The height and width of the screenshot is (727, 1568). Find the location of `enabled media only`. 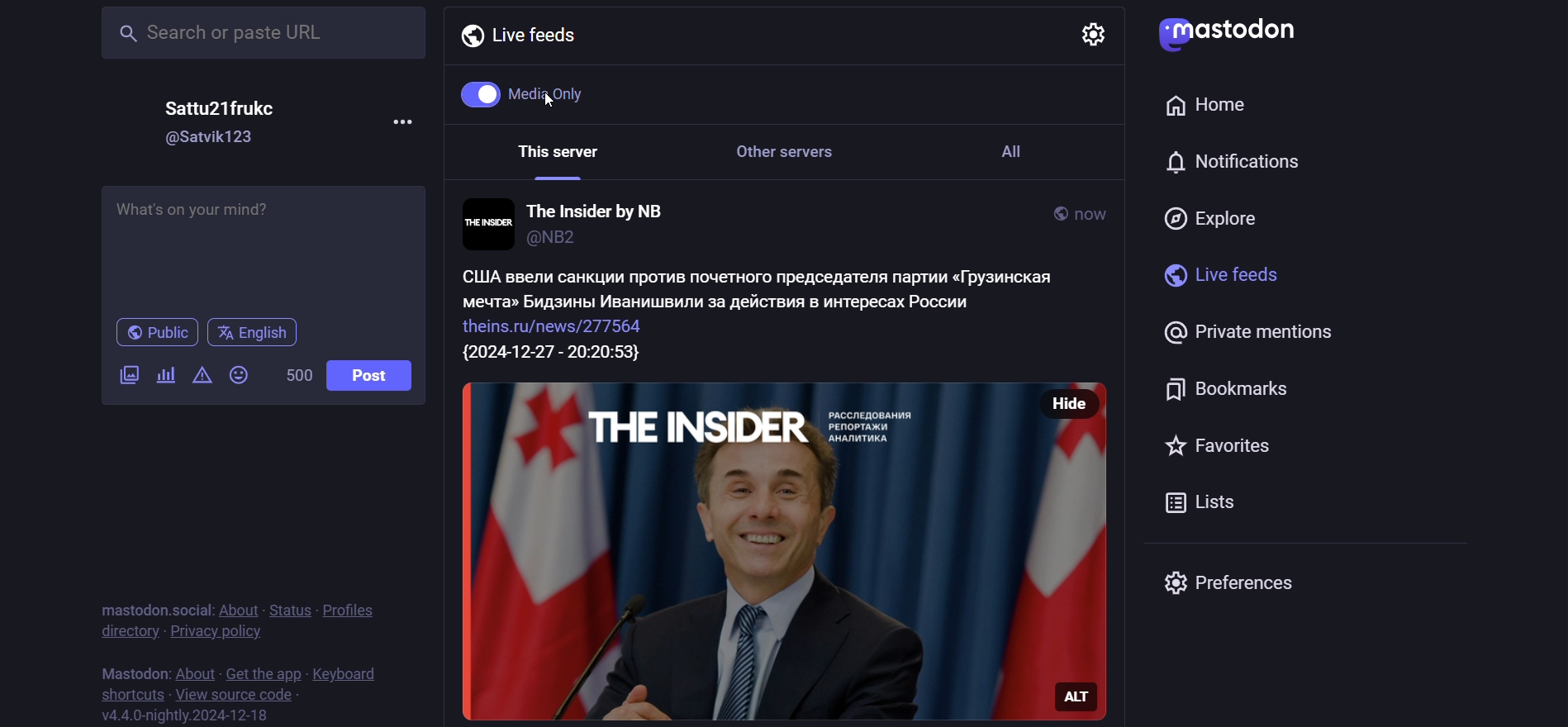

enabled media only is located at coordinates (525, 92).